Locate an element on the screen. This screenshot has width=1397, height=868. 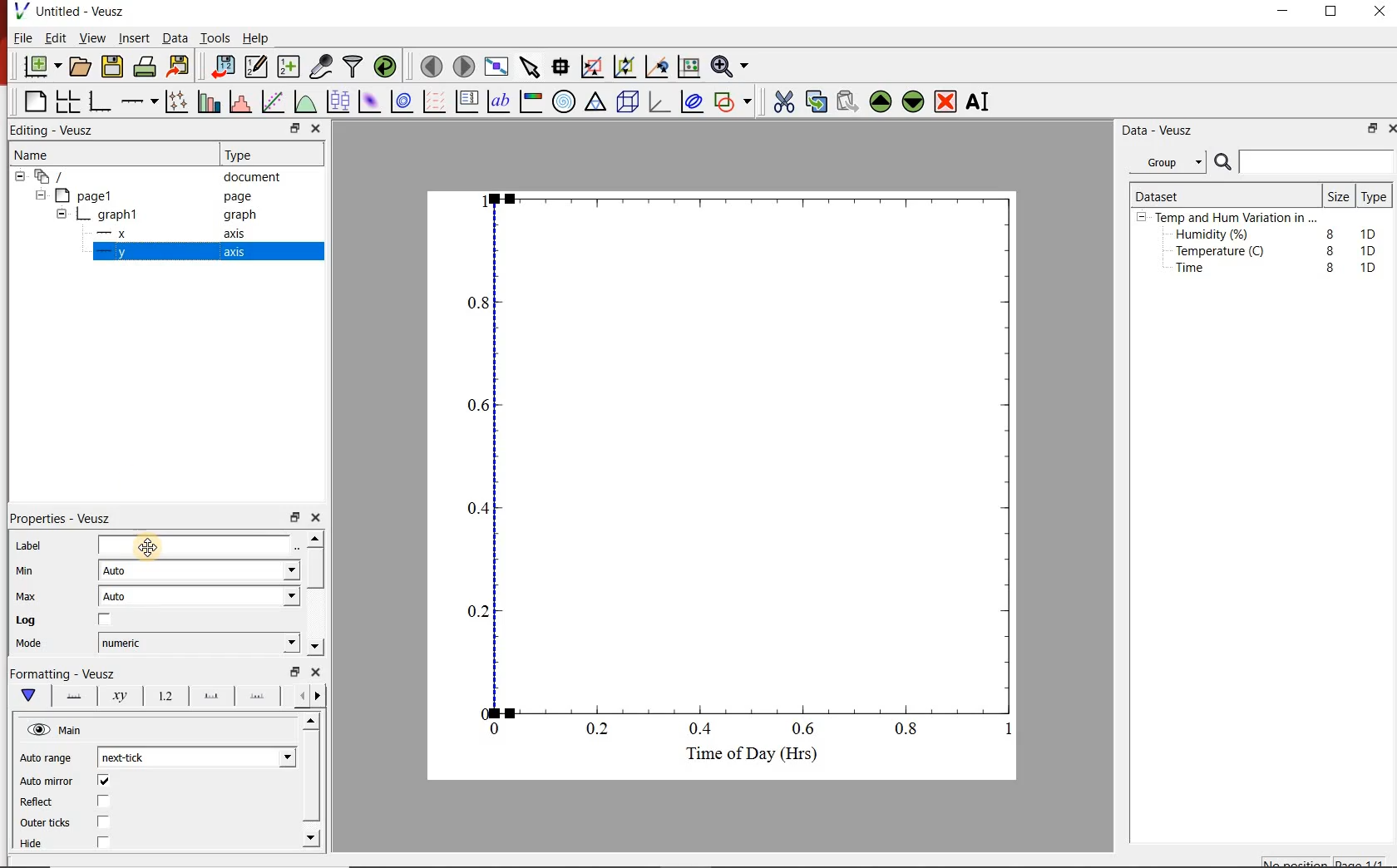
axis is located at coordinates (238, 254).